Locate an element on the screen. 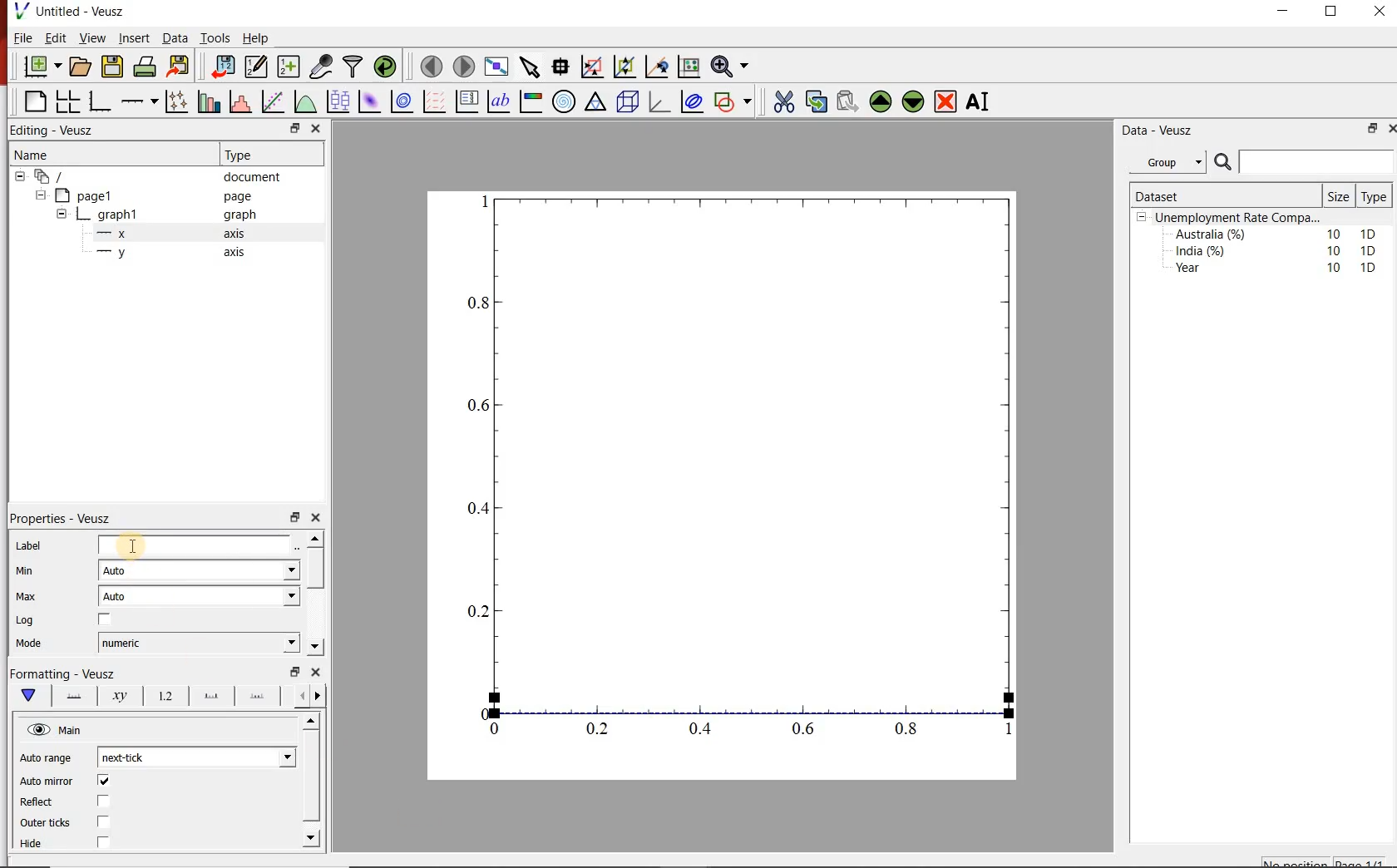 The image size is (1397, 868). major tick is located at coordinates (211, 696).